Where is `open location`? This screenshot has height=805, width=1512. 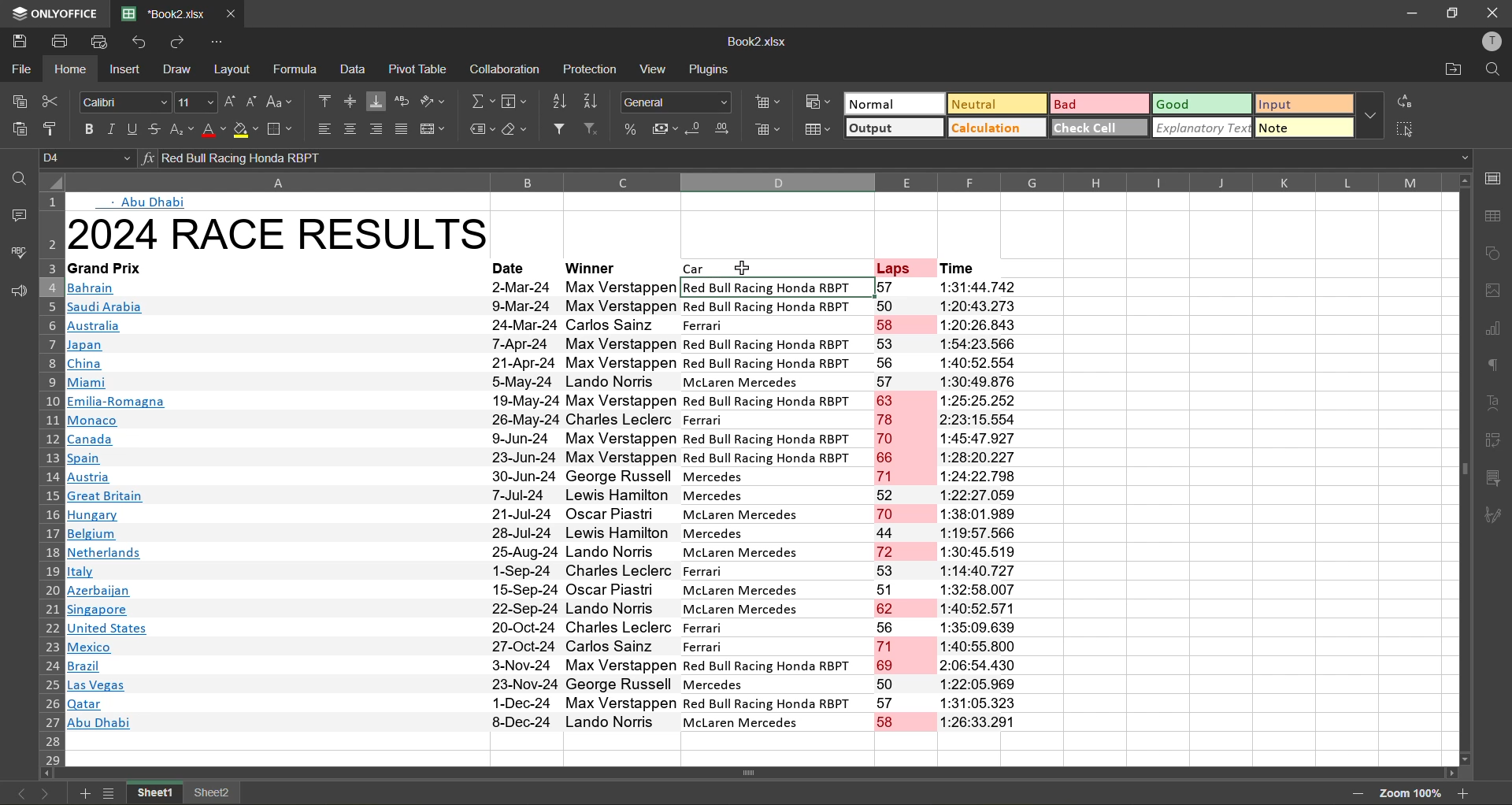
open location is located at coordinates (1454, 69).